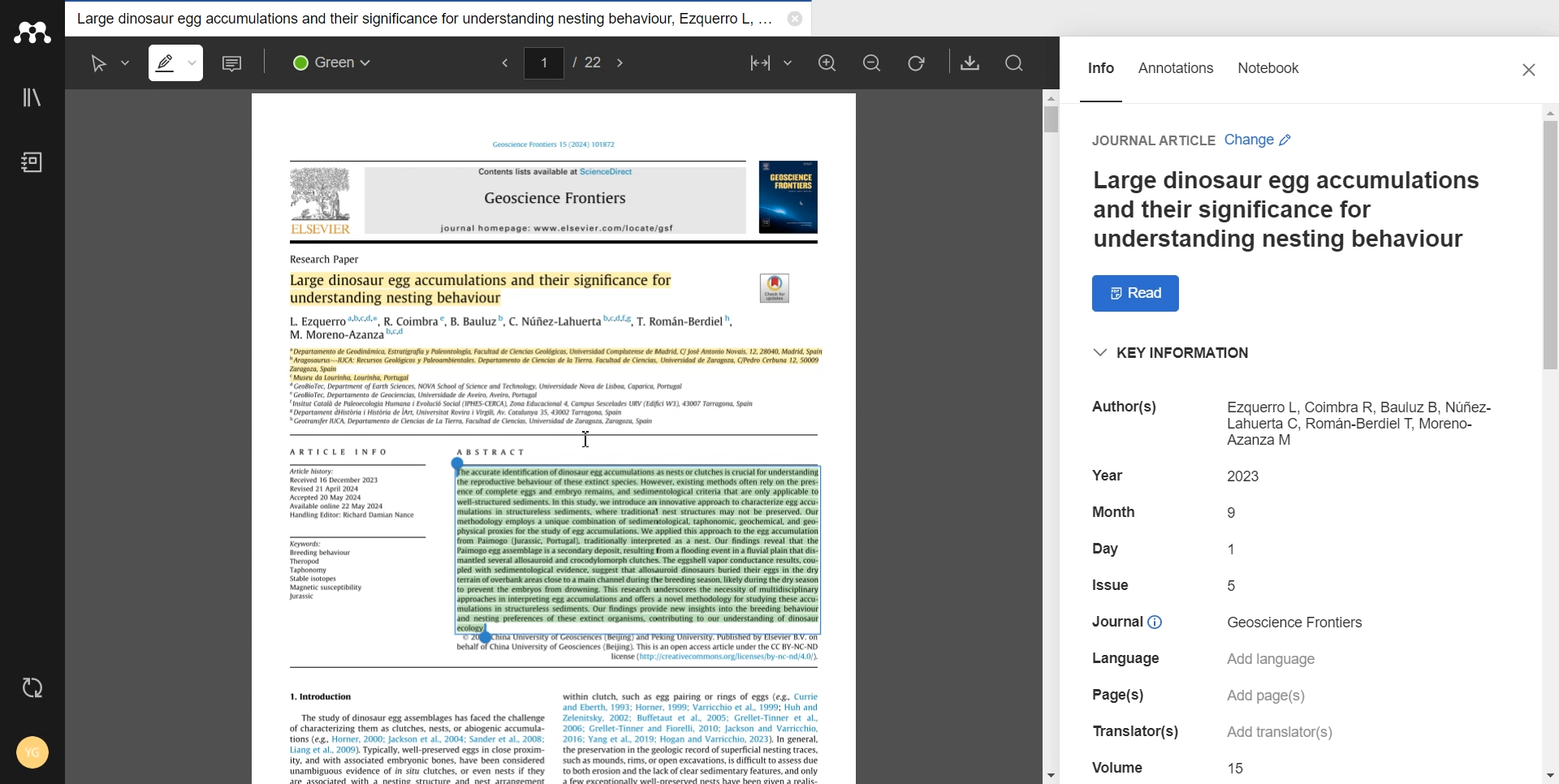 The width and height of the screenshot is (1559, 784). What do you see at coordinates (1250, 476) in the screenshot?
I see `text` at bounding box center [1250, 476].